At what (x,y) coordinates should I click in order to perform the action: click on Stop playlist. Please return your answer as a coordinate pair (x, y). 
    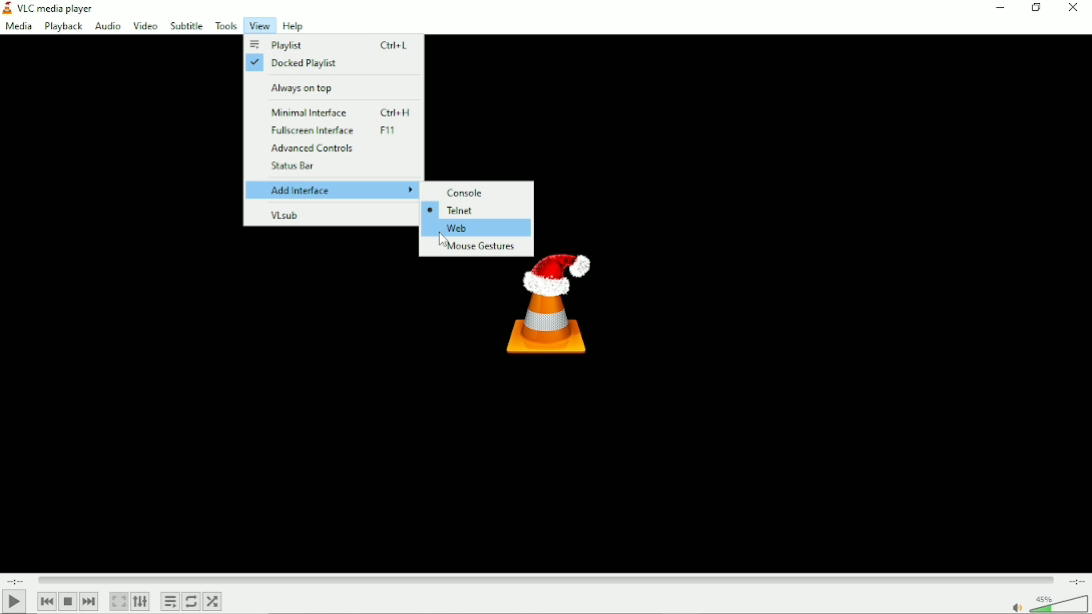
    Looking at the image, I should click on (68, 602).